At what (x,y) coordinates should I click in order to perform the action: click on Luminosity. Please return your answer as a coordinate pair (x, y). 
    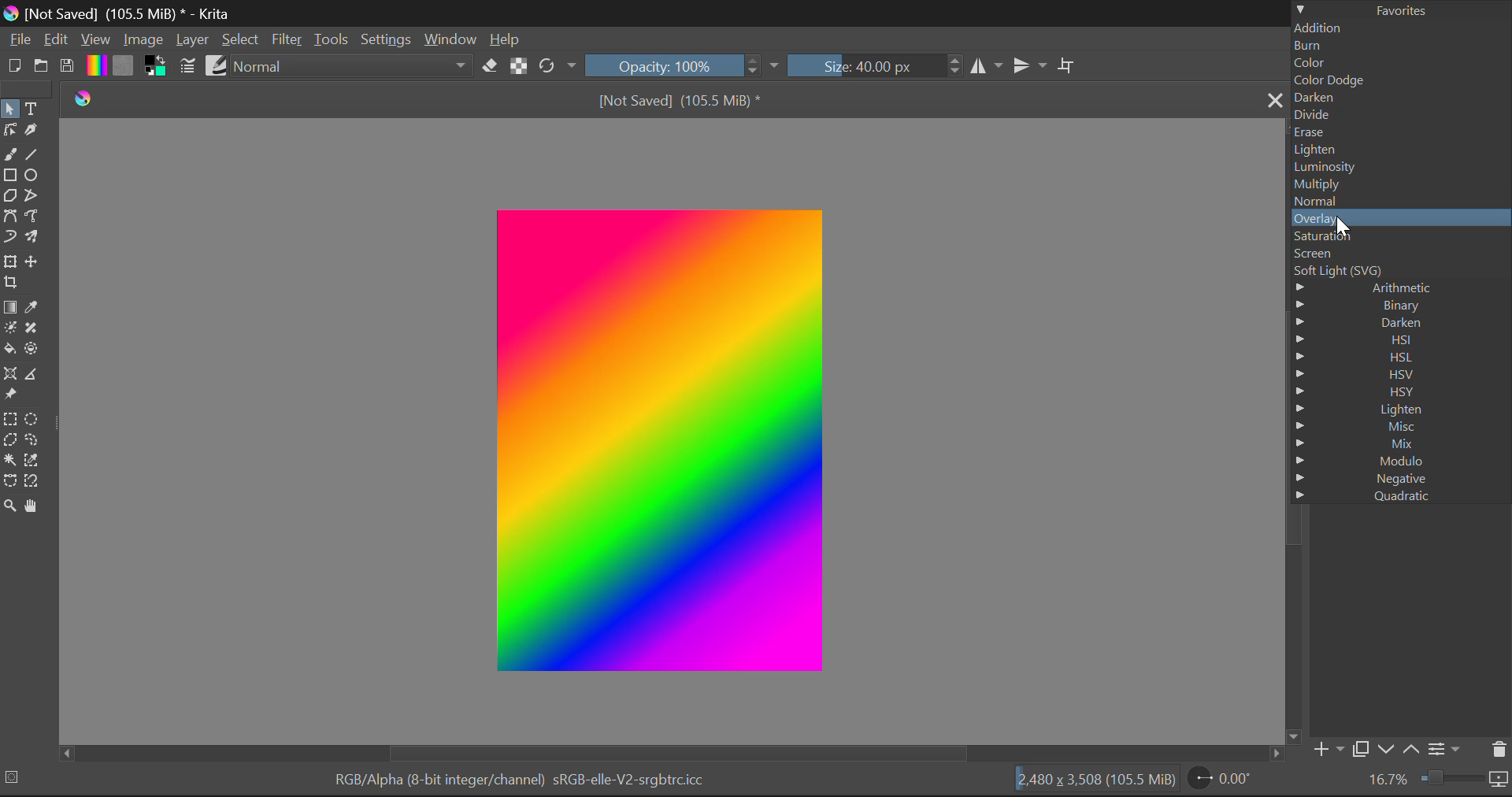
    Looking at the image, I should click on (1399, 167).